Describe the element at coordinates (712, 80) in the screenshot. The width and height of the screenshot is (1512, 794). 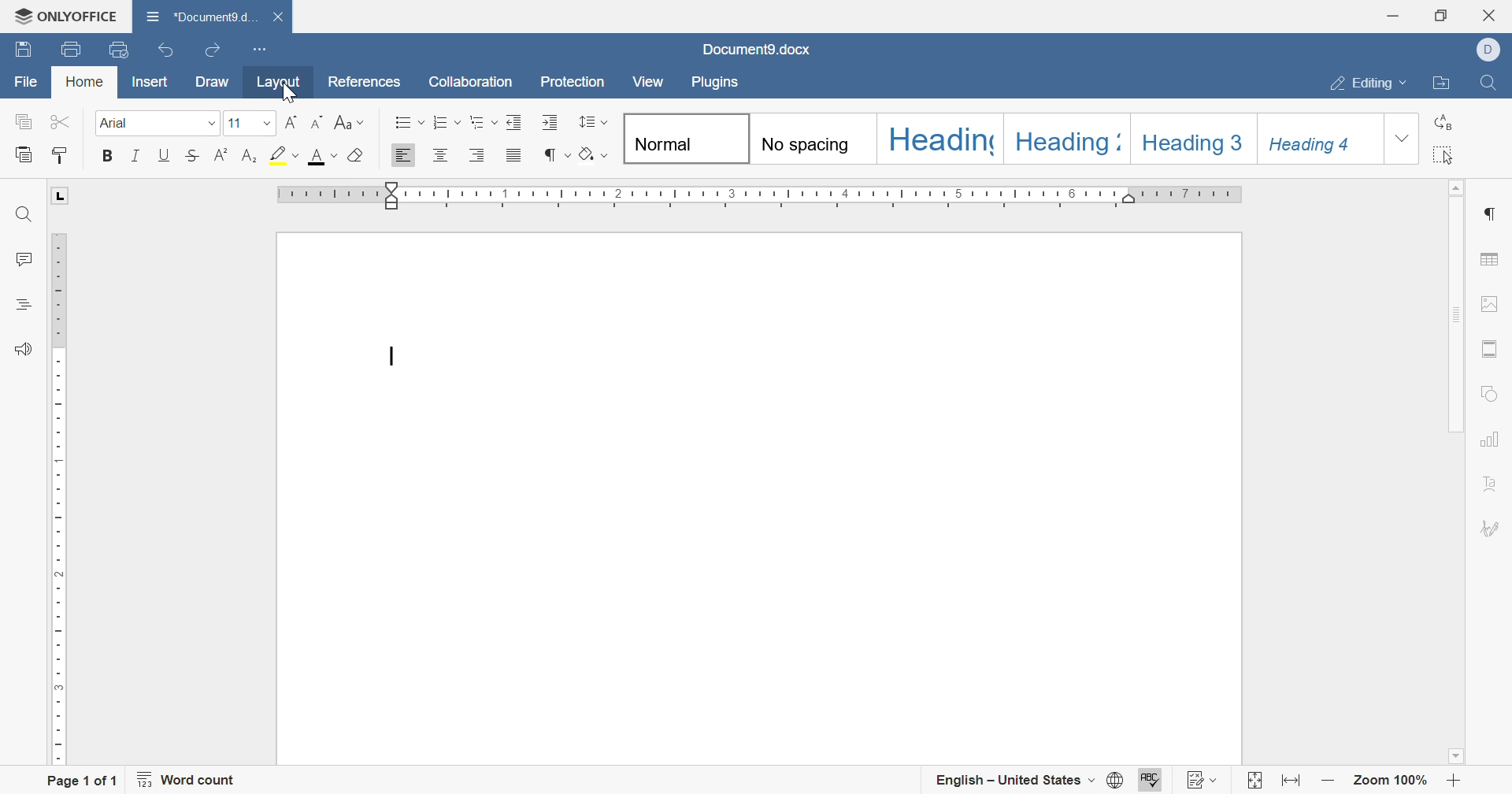
I see `plugins` at that location.